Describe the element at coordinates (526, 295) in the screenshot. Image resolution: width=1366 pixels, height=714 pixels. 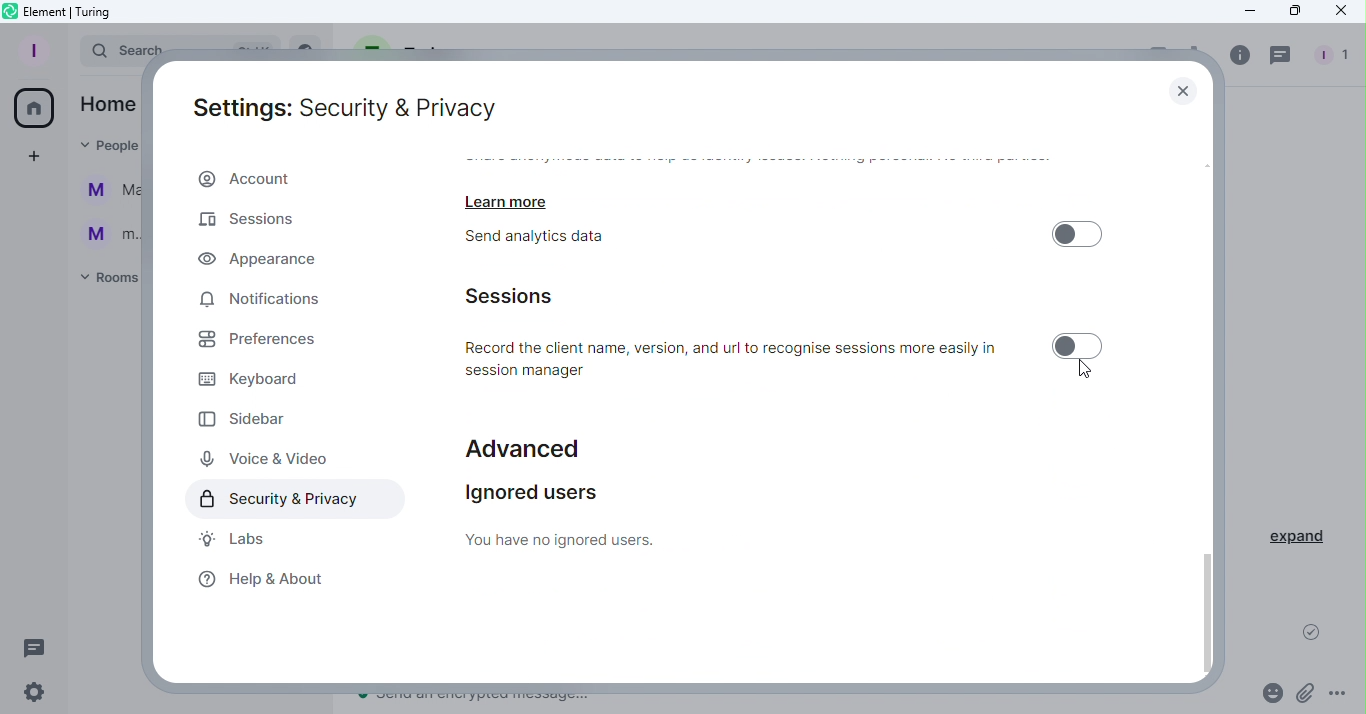
I see `Sessions` at that location.